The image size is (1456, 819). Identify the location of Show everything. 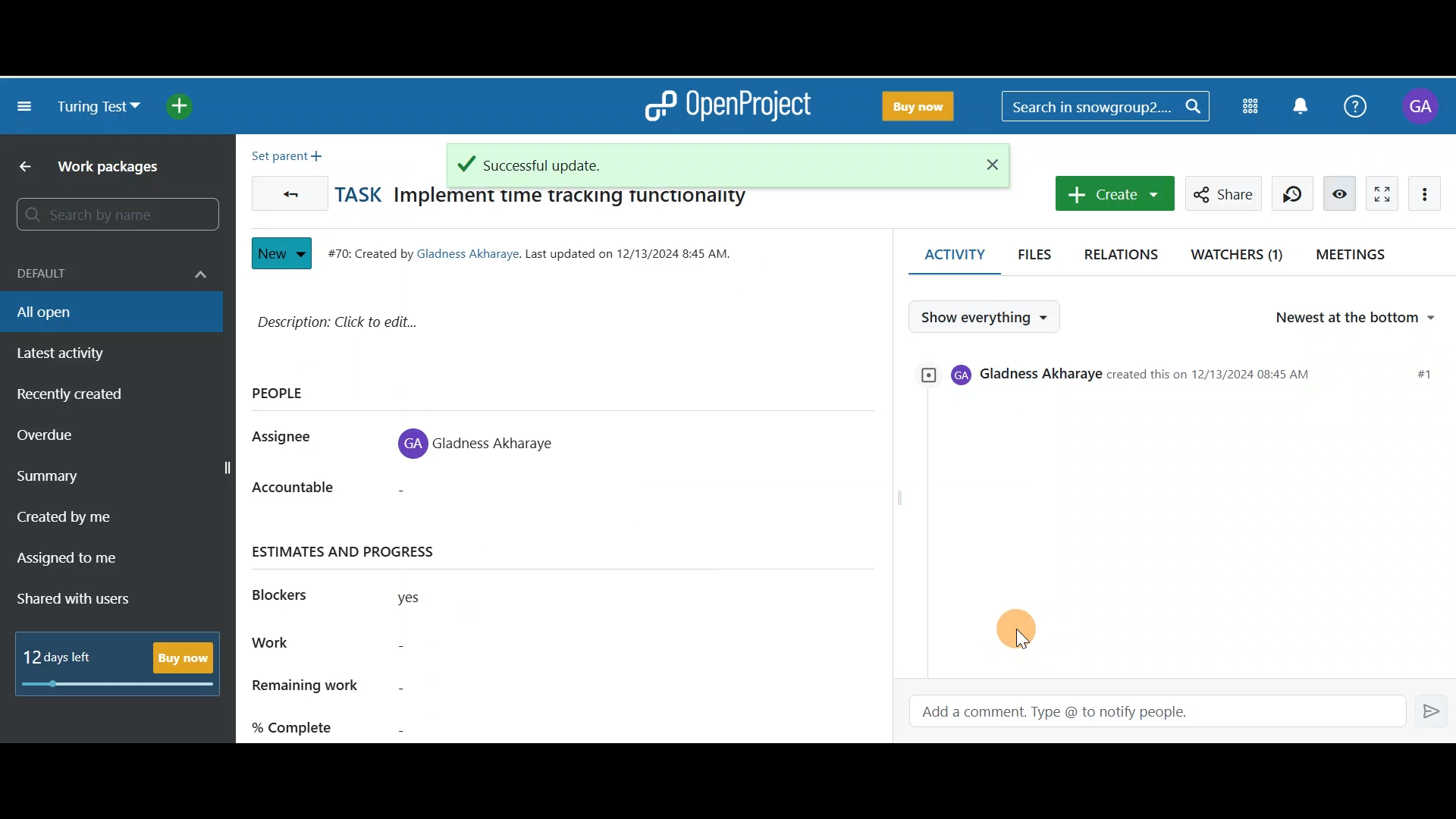
(989, 317).